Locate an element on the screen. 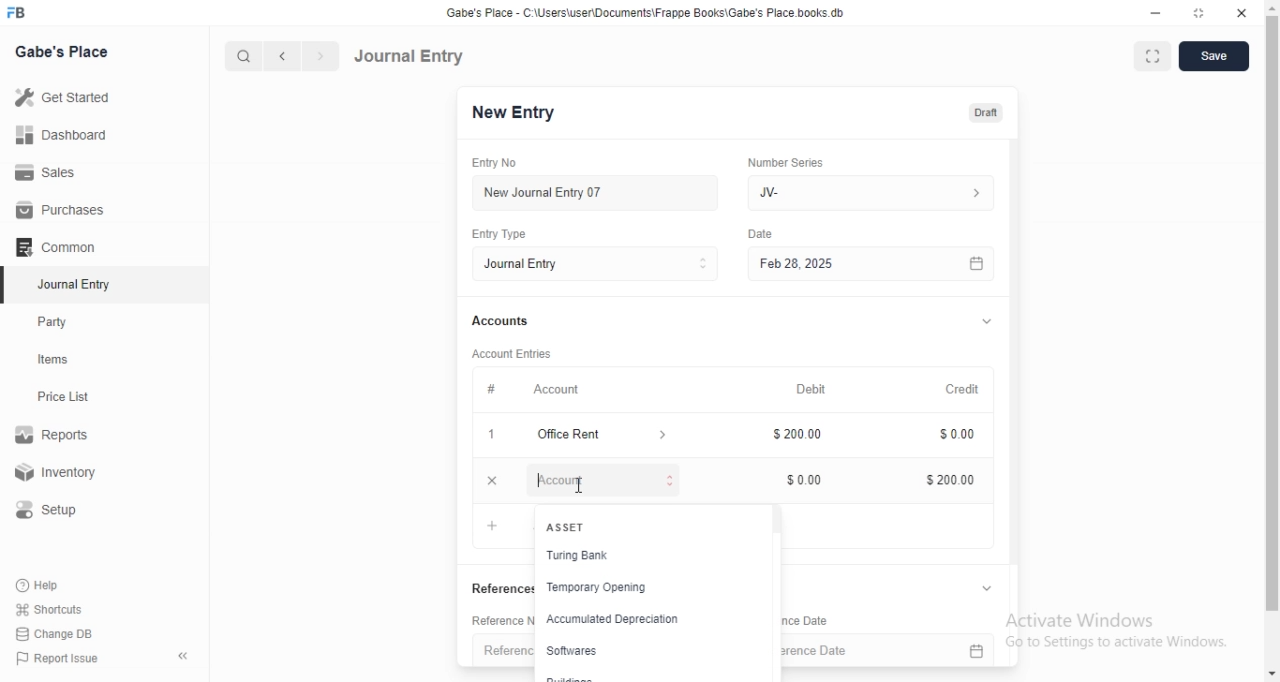 This screenshot has width=1280, height=682. search is located at coordinates (241, 56).